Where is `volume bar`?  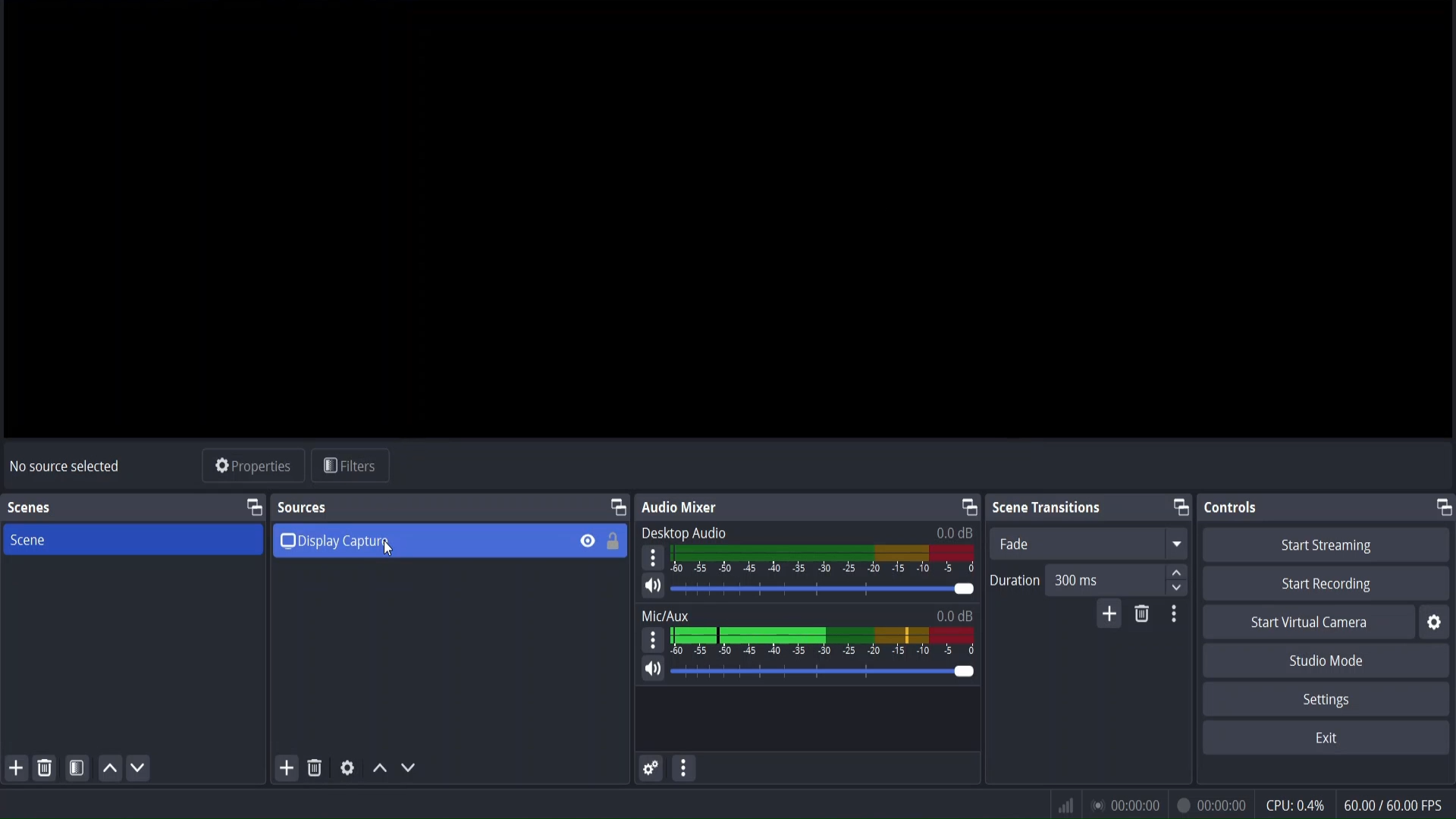 volume bar is located at coordinates (823, 590).